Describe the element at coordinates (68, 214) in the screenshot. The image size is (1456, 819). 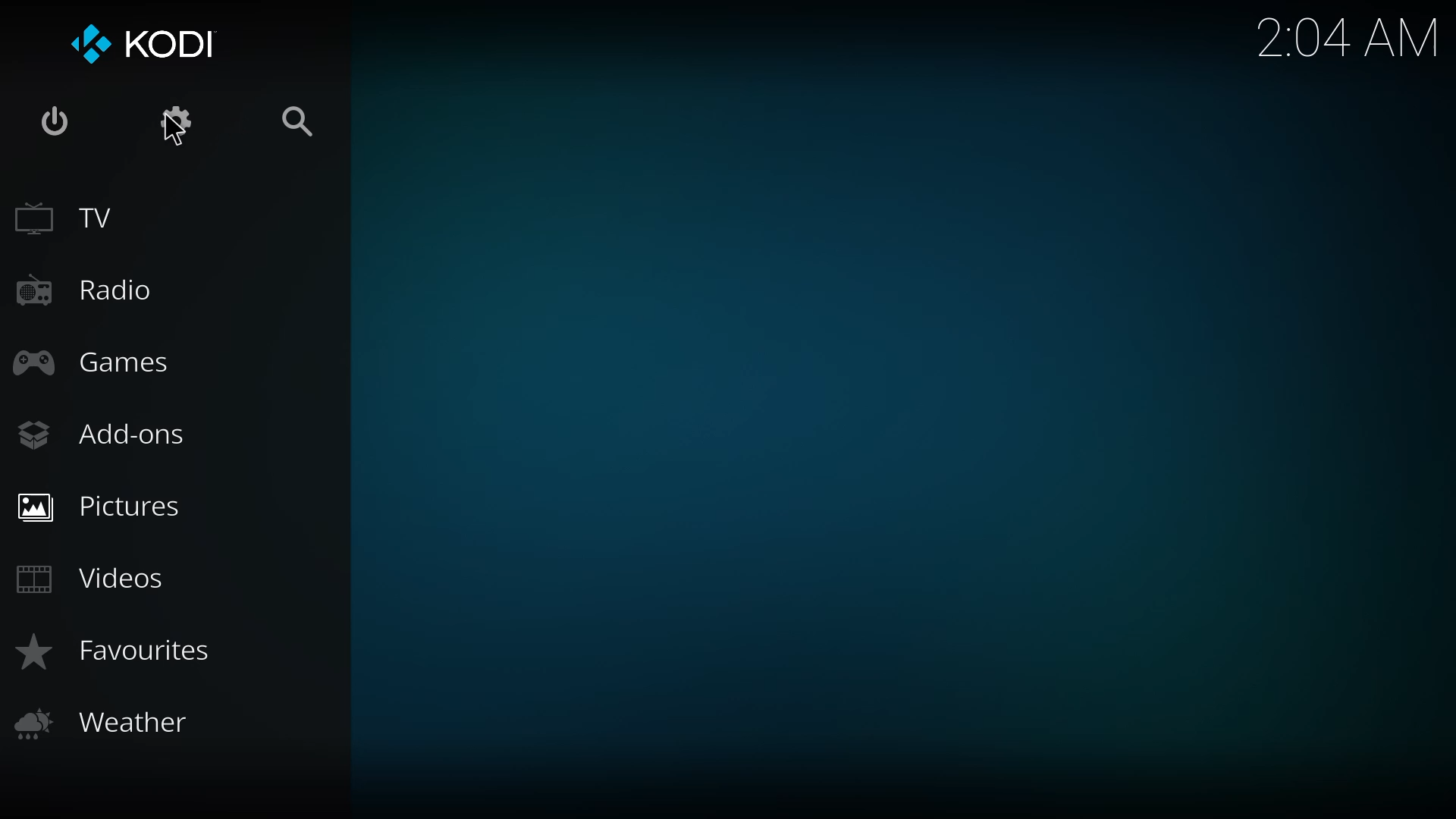
I see `tv` at that location.